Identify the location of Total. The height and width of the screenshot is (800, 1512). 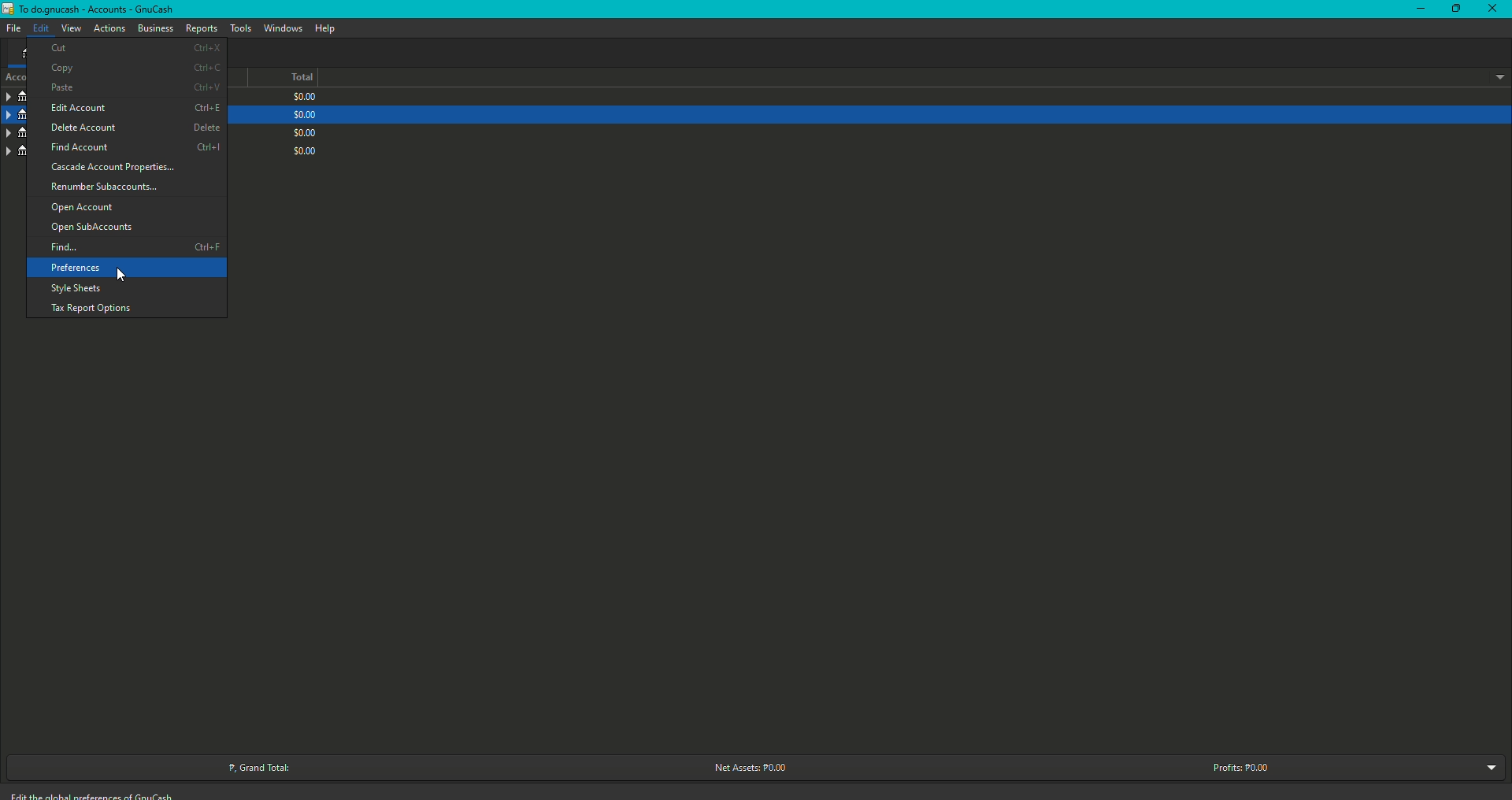
(290, 79).